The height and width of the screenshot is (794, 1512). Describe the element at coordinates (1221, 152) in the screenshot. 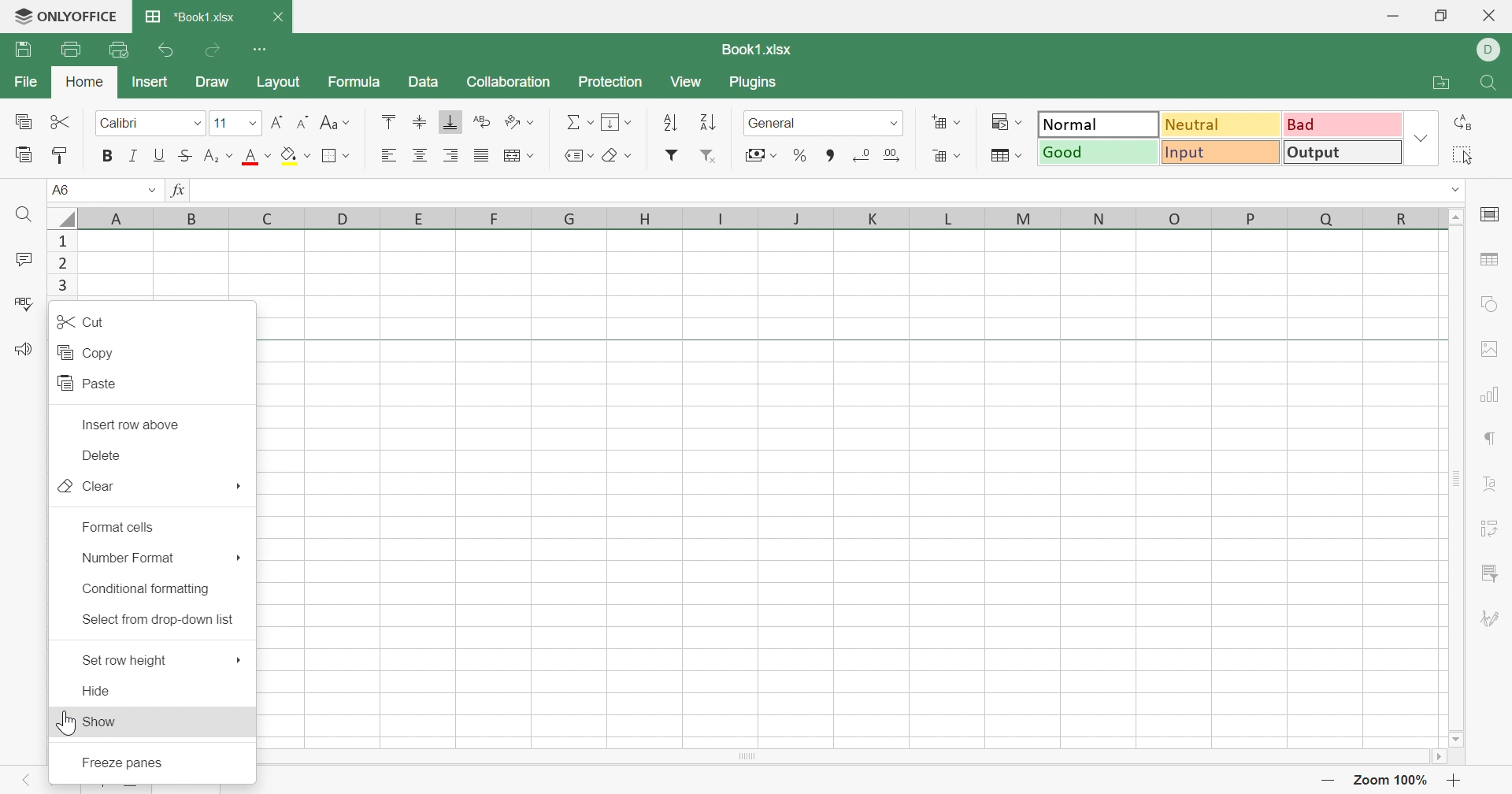

I see `Input` at that location.